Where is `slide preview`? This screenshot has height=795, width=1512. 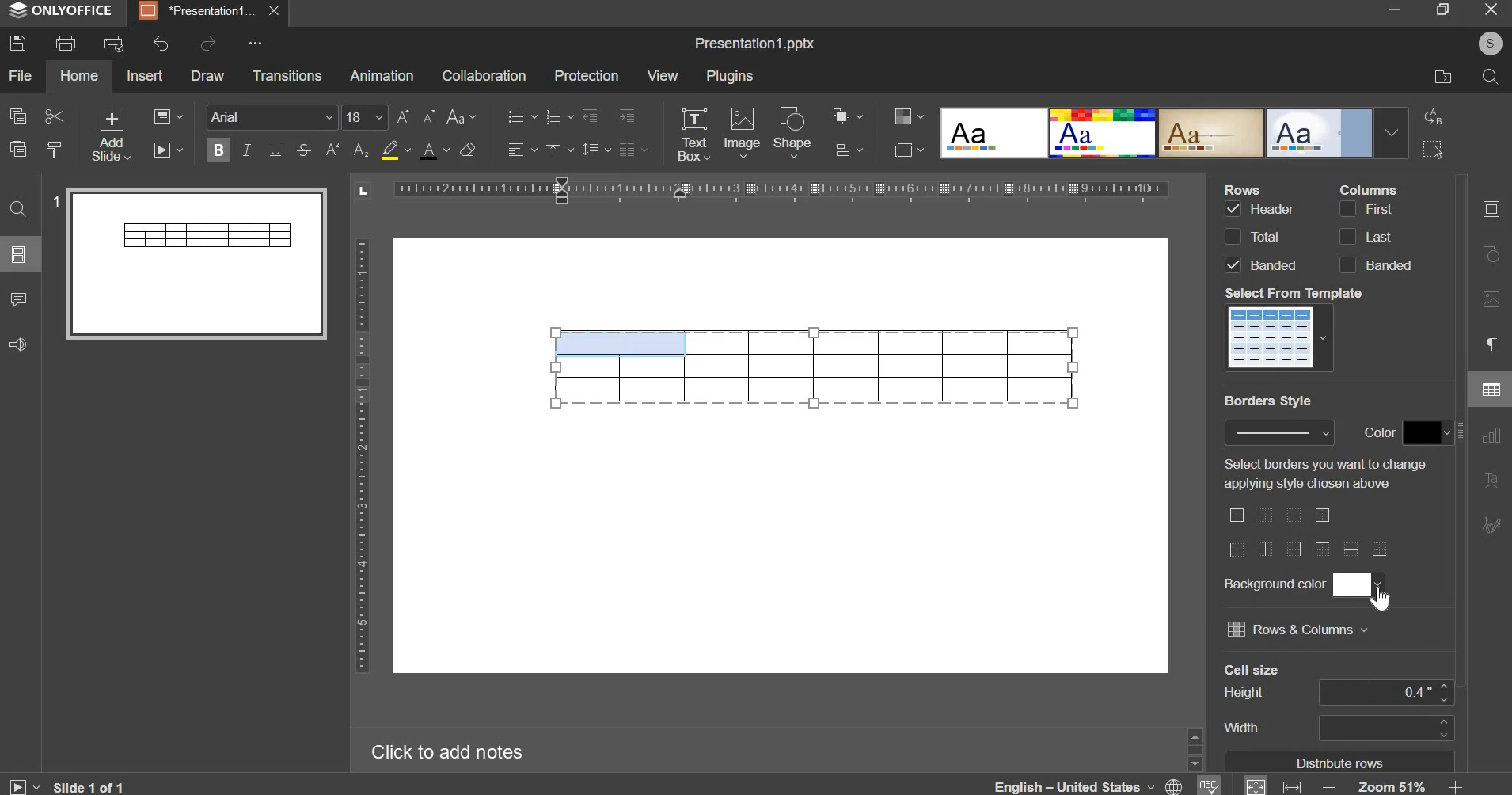 slide preview is located at coordinates (196, 262).